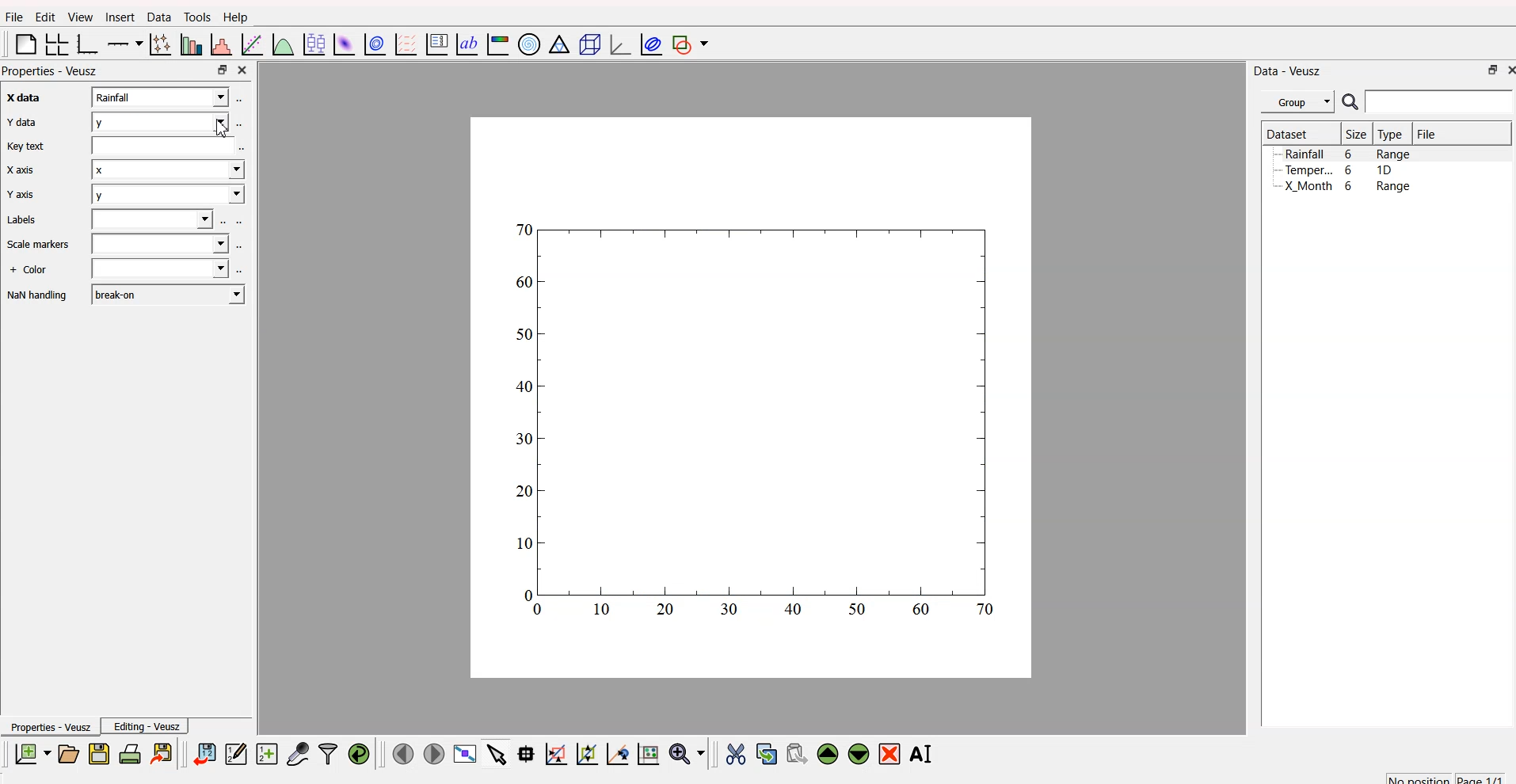 The height and width of the screenshot is (784, 1516). What do you see at coordinates (1289, 70) in the screenshot?
I see `Data - Veusz` at bounding box center [1289, 70].